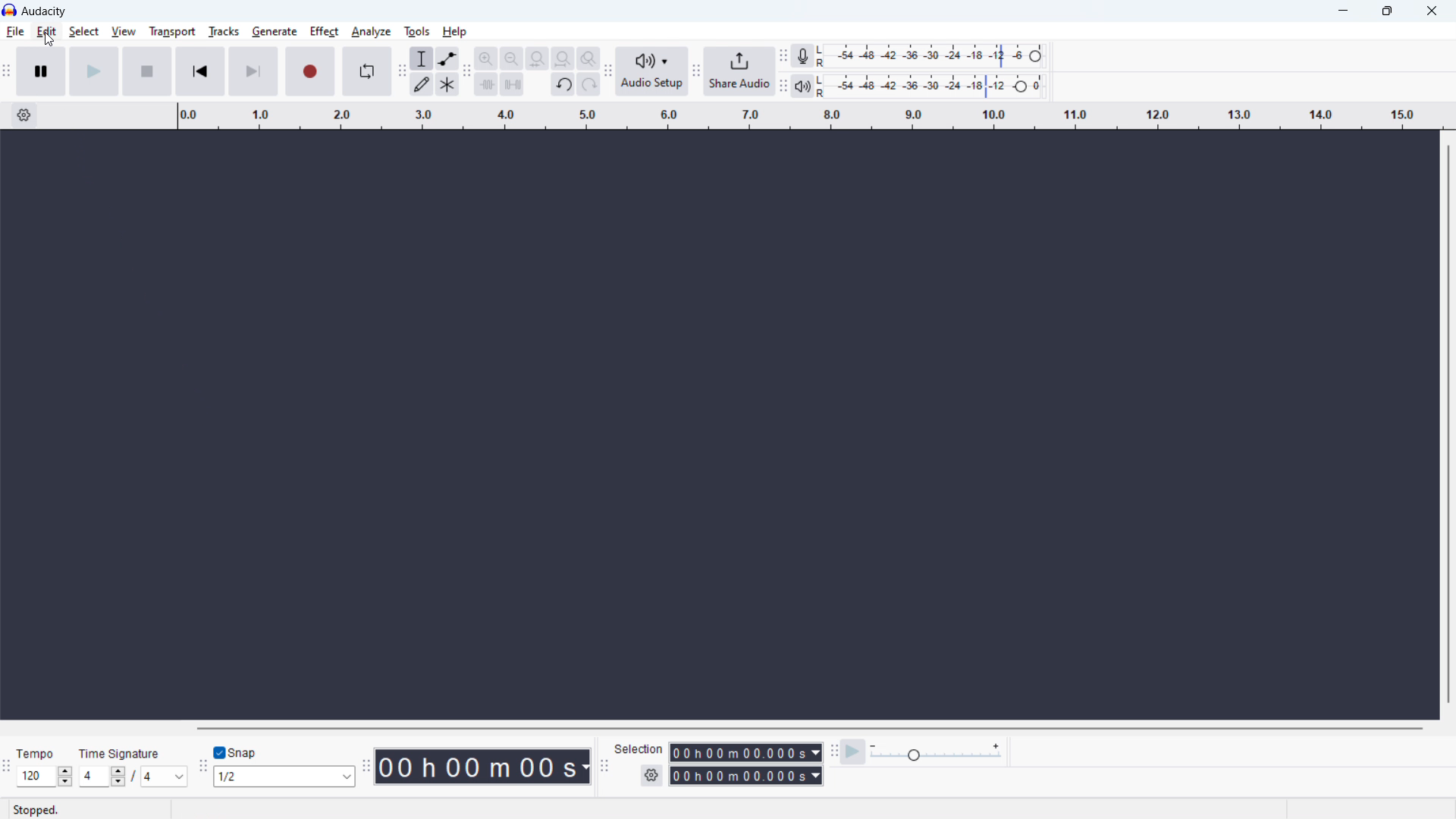 This screenshot has height=819, width=1456. Describe the element at coordinates (652, 775) in the screenshot. I see `selection settings` at that location.